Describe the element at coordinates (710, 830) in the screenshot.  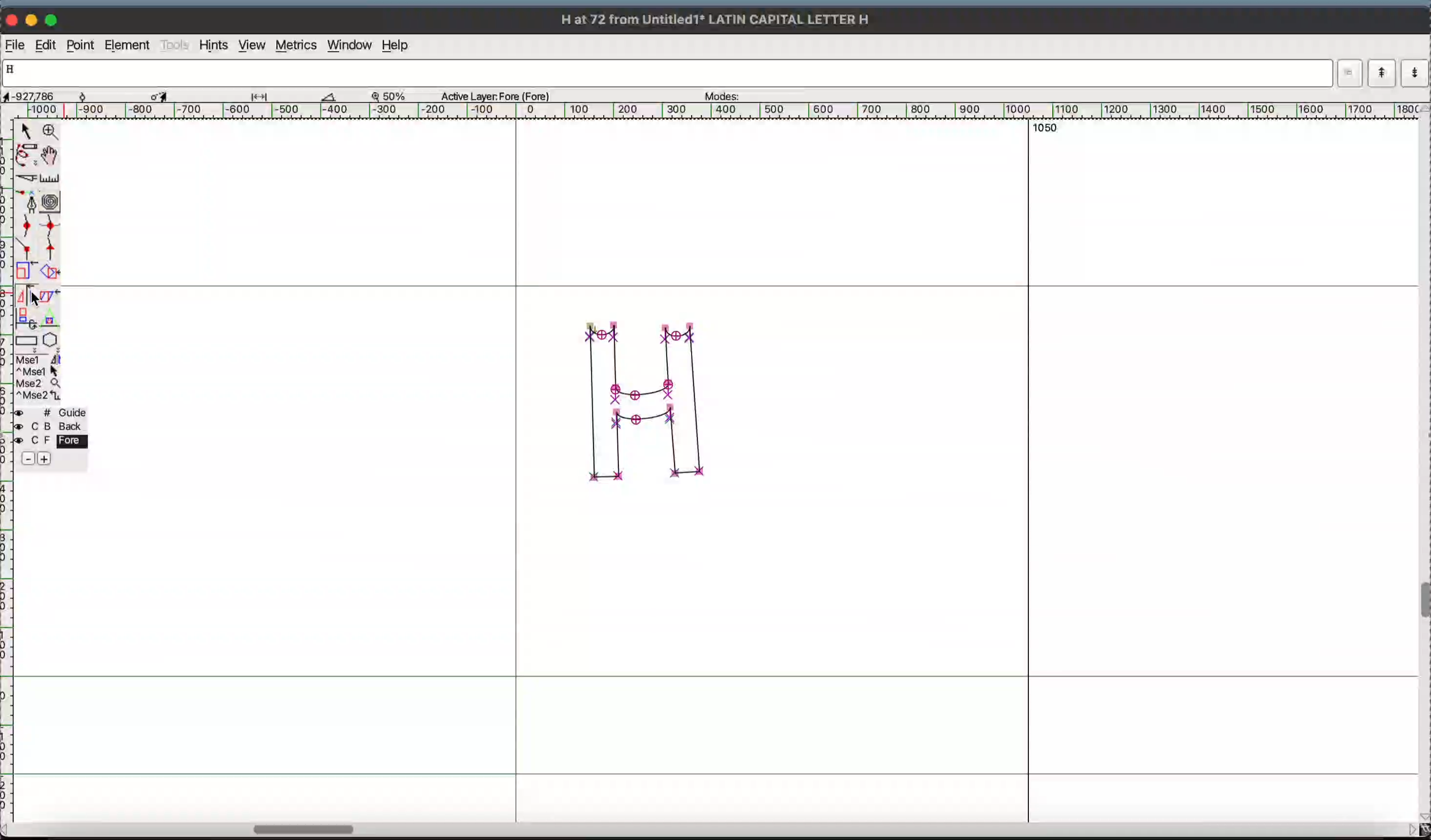
I see `horizontal scrollbar` at that location.